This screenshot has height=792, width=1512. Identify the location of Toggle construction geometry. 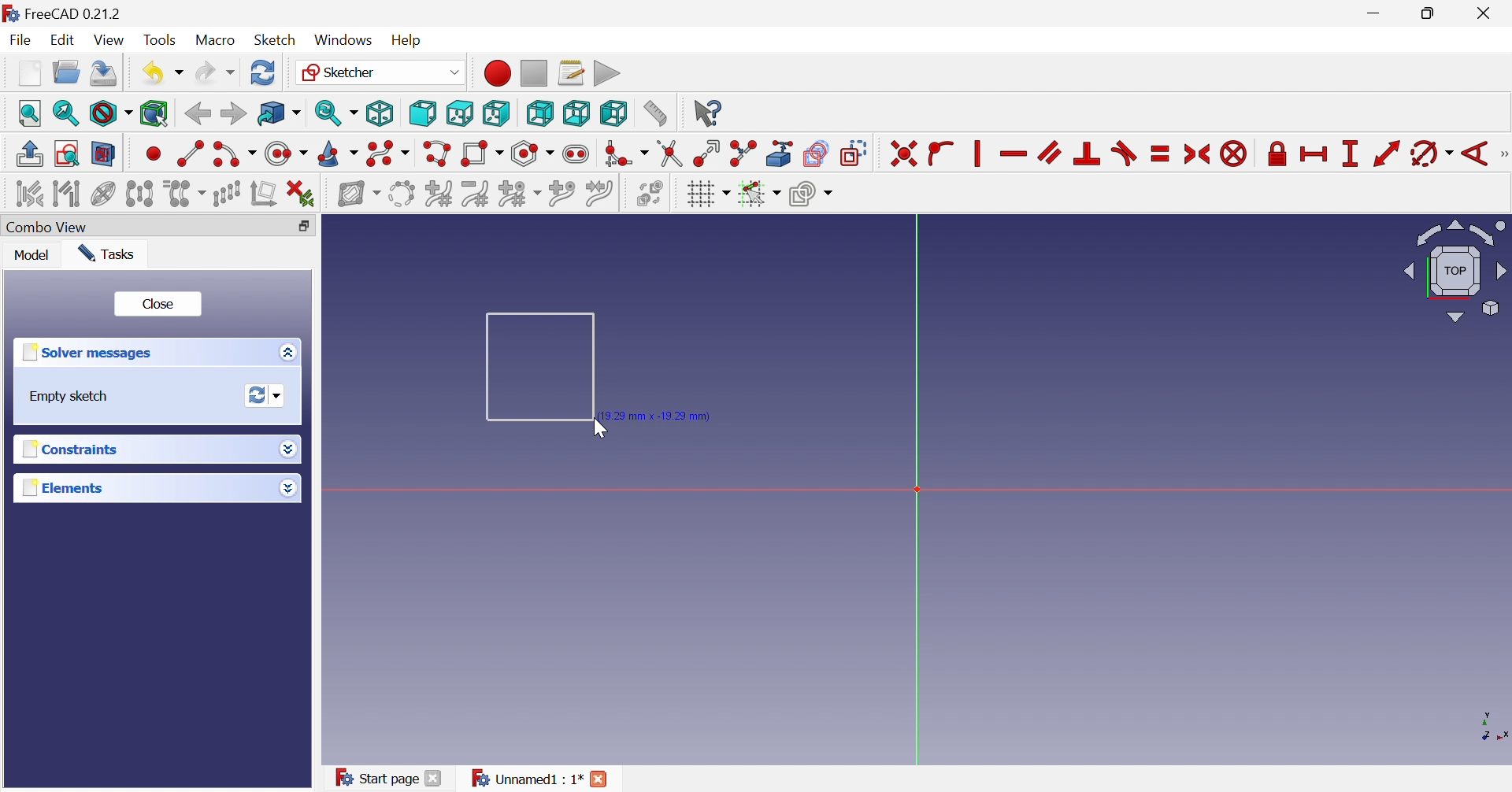
(854, 154).